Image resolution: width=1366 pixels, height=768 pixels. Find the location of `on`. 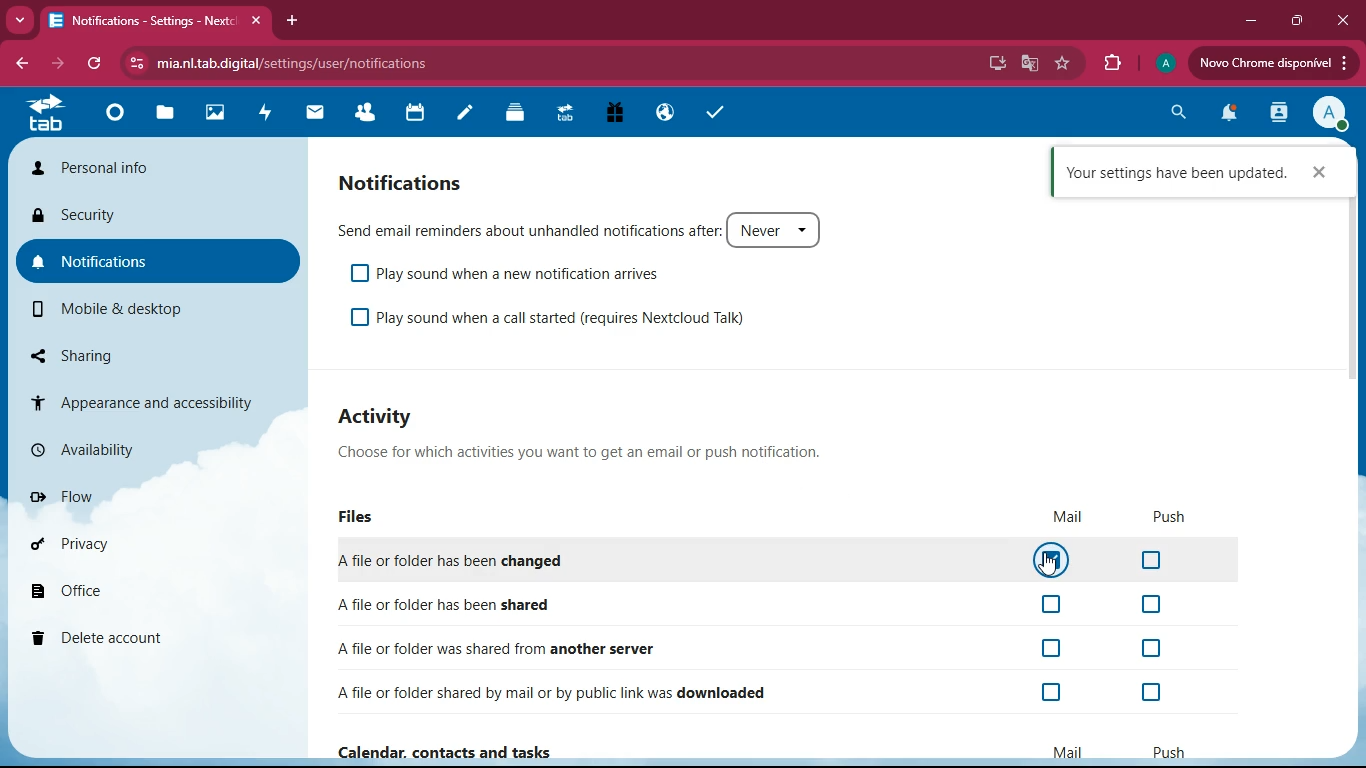

on is located at coordinates (1053, 559).